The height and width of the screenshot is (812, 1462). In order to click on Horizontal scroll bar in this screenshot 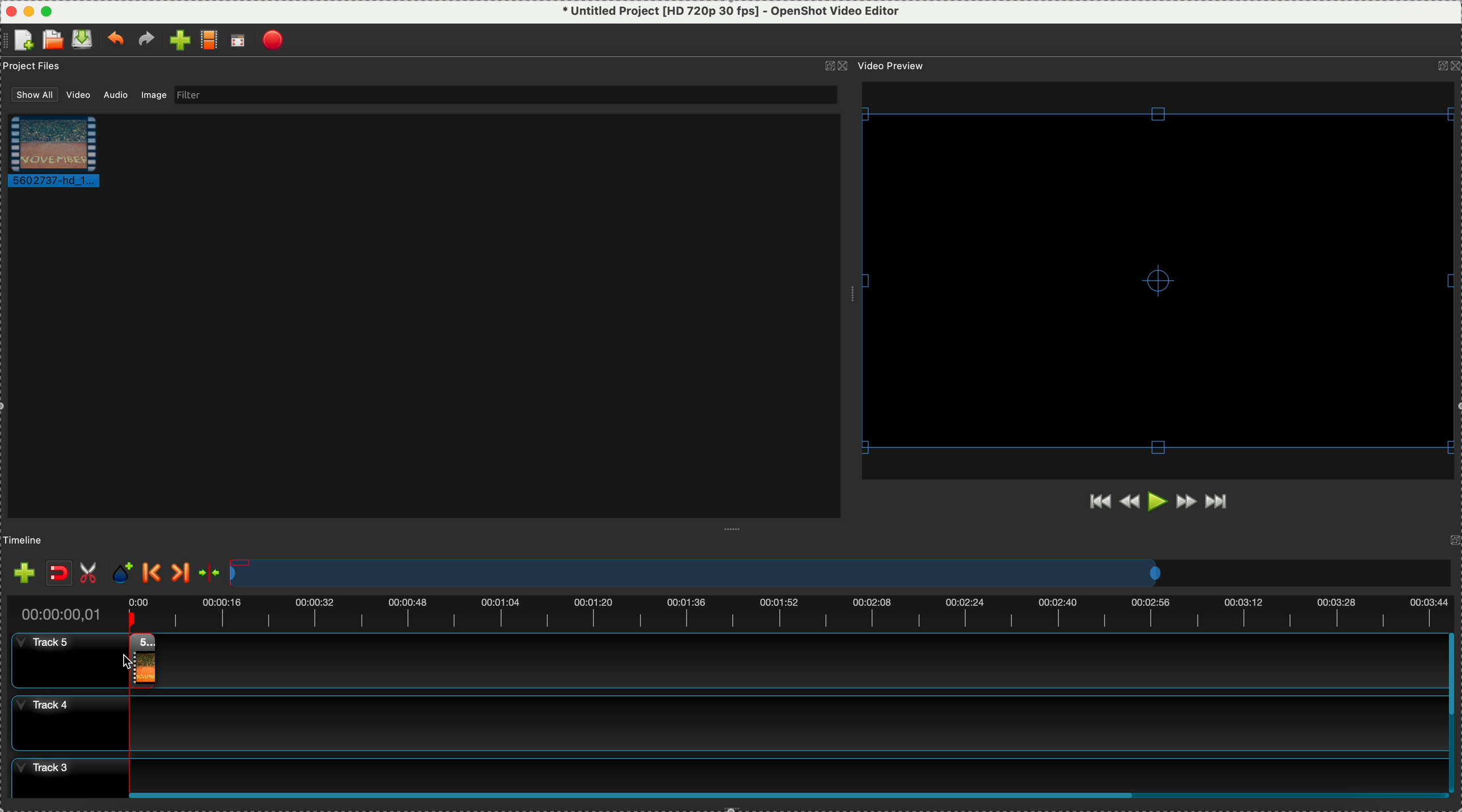, I will do `click(788, 796)`.